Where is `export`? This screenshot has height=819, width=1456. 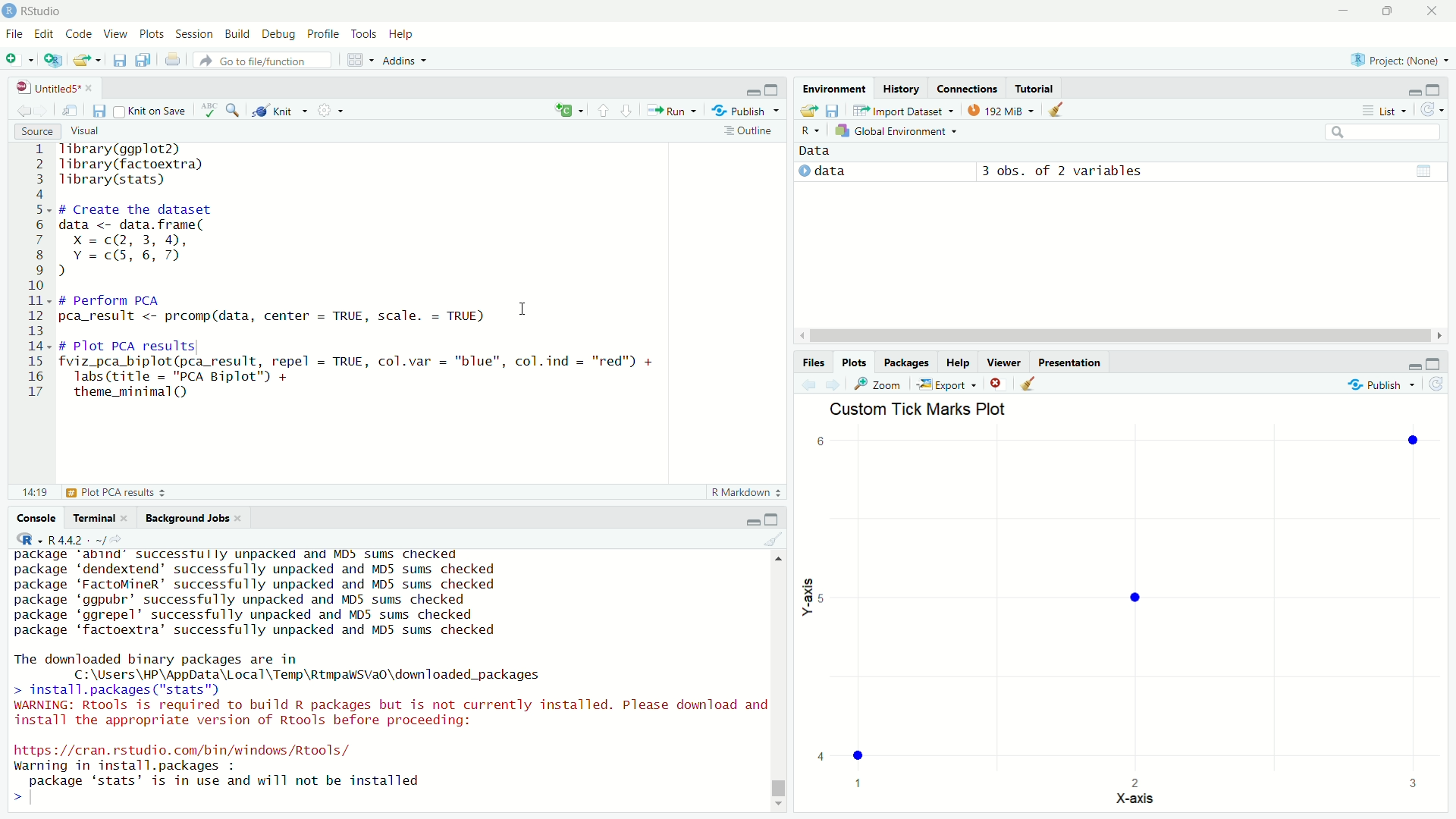 export is located at coordinates (946, 384).